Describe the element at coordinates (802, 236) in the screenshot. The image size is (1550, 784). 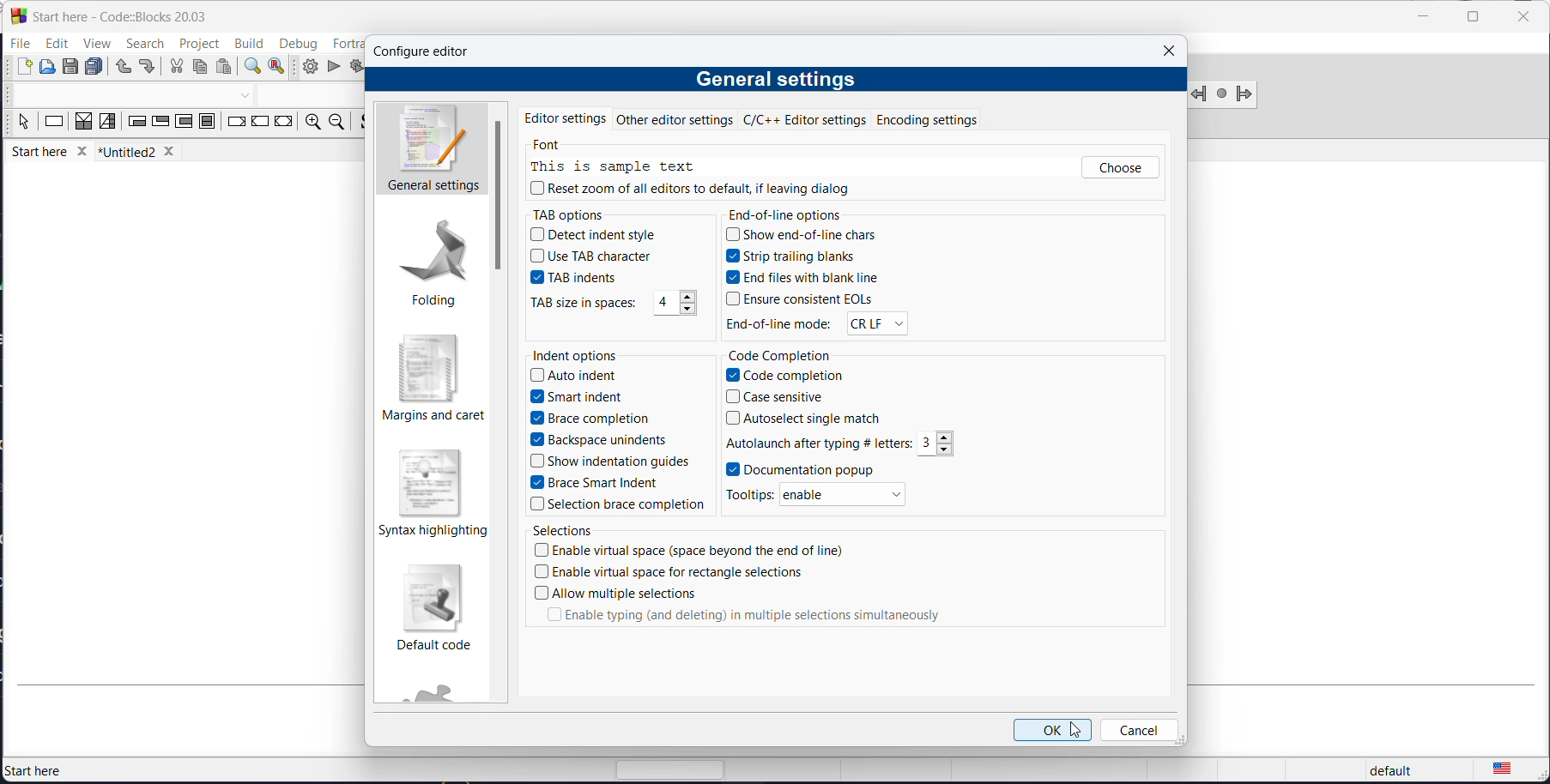
I see `show end-of-line chars checkbox` at that location.